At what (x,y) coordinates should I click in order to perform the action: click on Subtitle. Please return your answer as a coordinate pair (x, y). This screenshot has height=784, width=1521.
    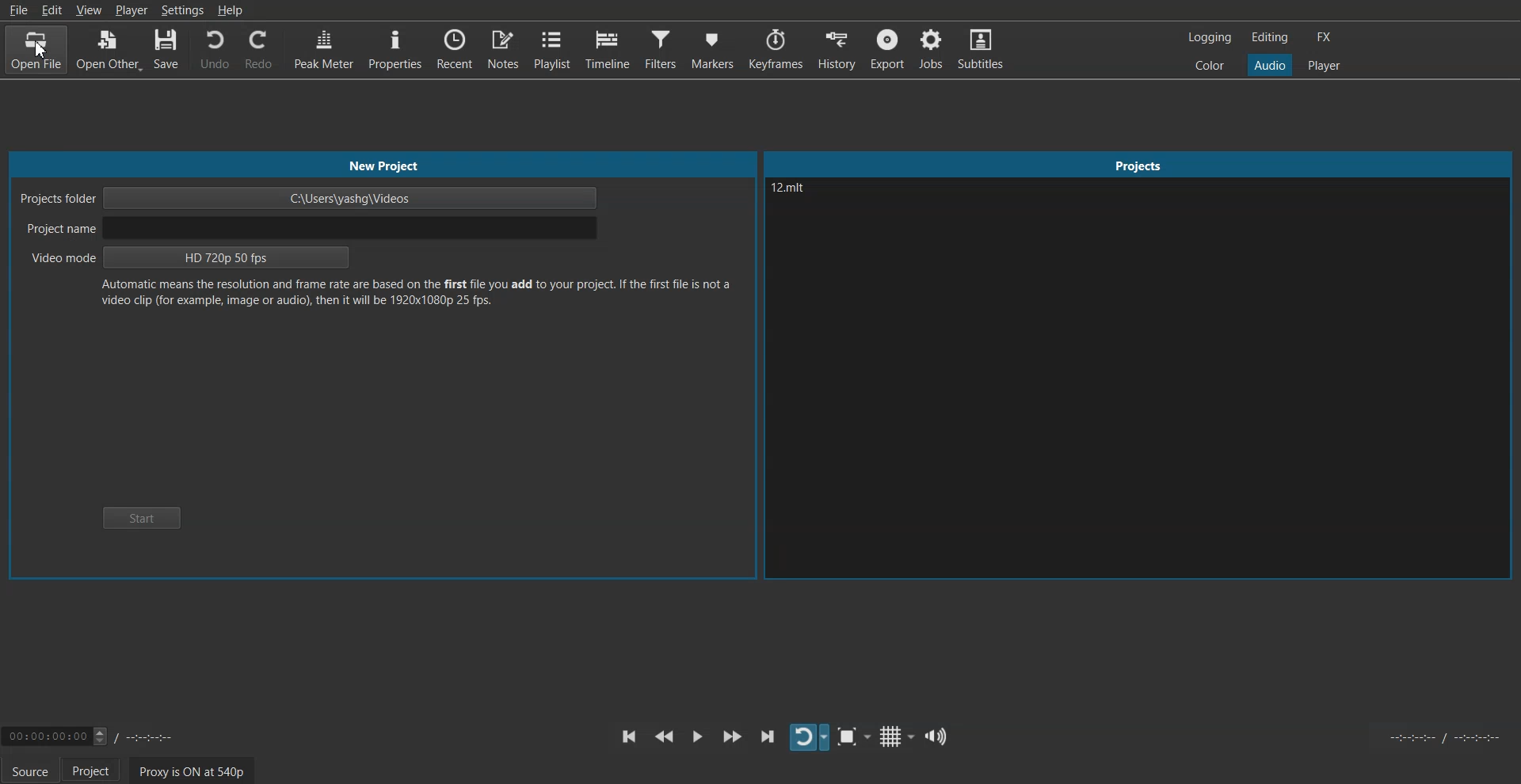
    Looking at the image, I should click on (982, 48).